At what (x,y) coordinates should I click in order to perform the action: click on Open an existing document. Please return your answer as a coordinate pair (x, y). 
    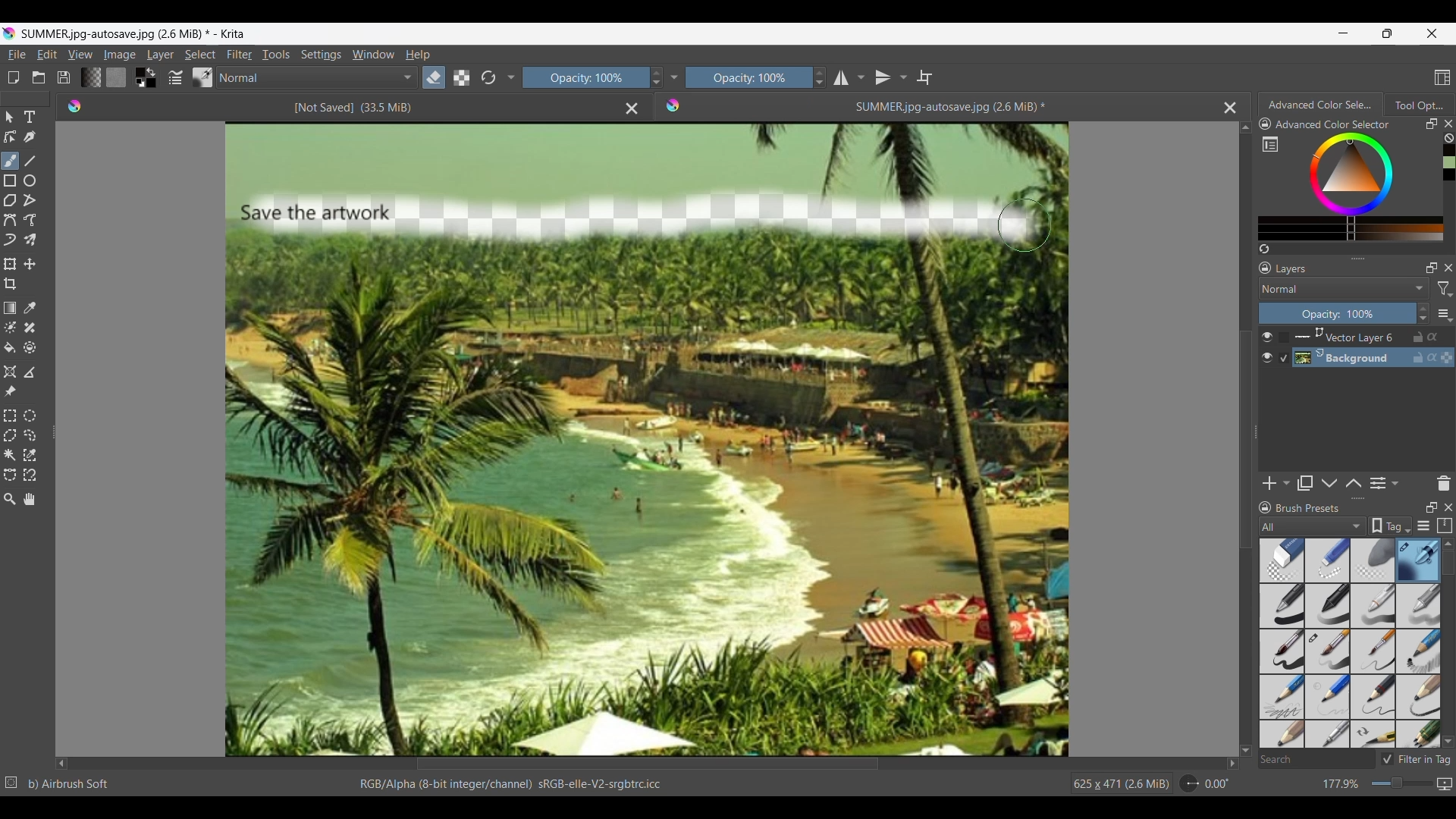
    Looking at the image, I should click on (39, 77).